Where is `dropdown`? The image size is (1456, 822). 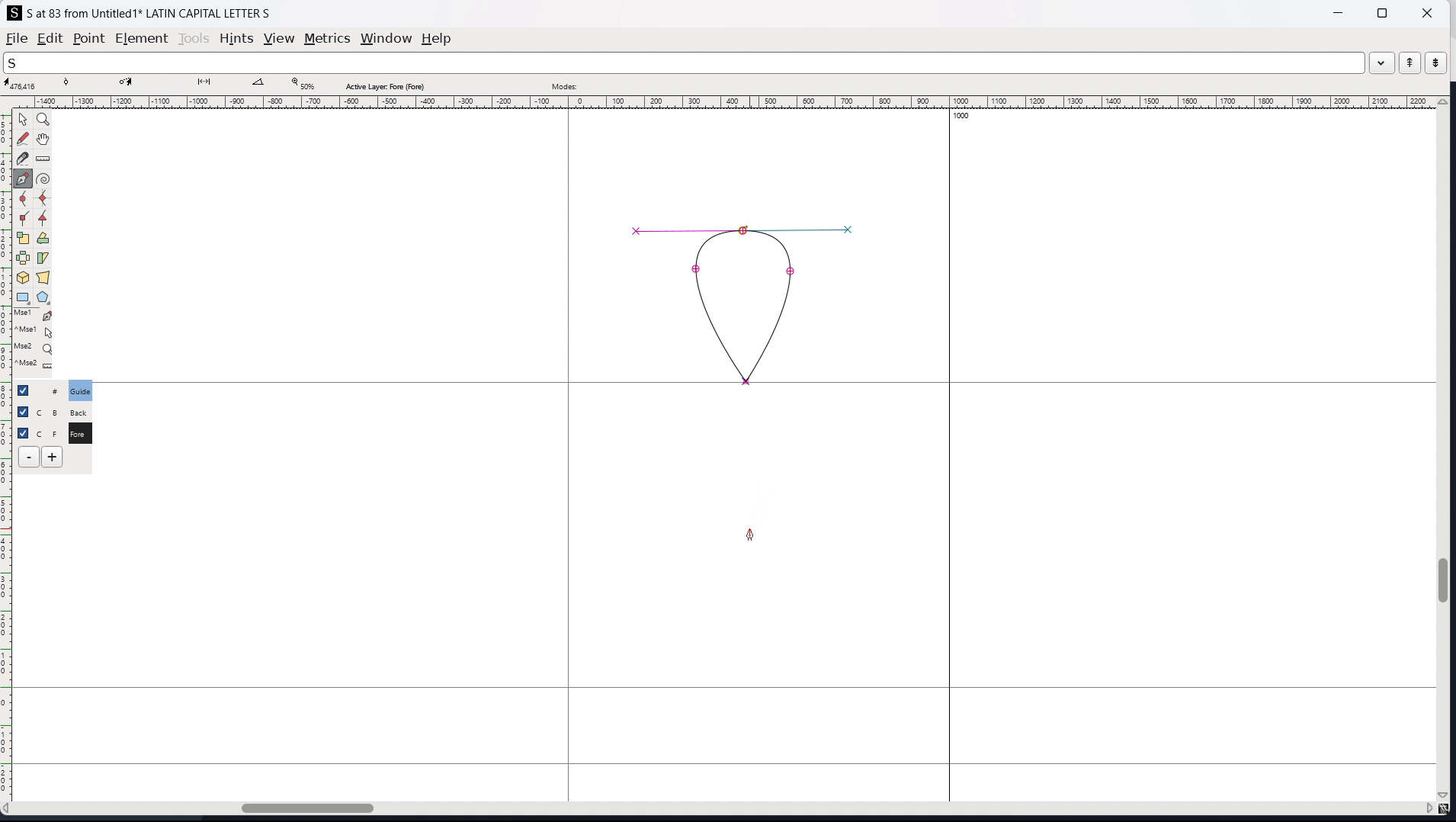 dropdown is located at coordinates (1382, 62).